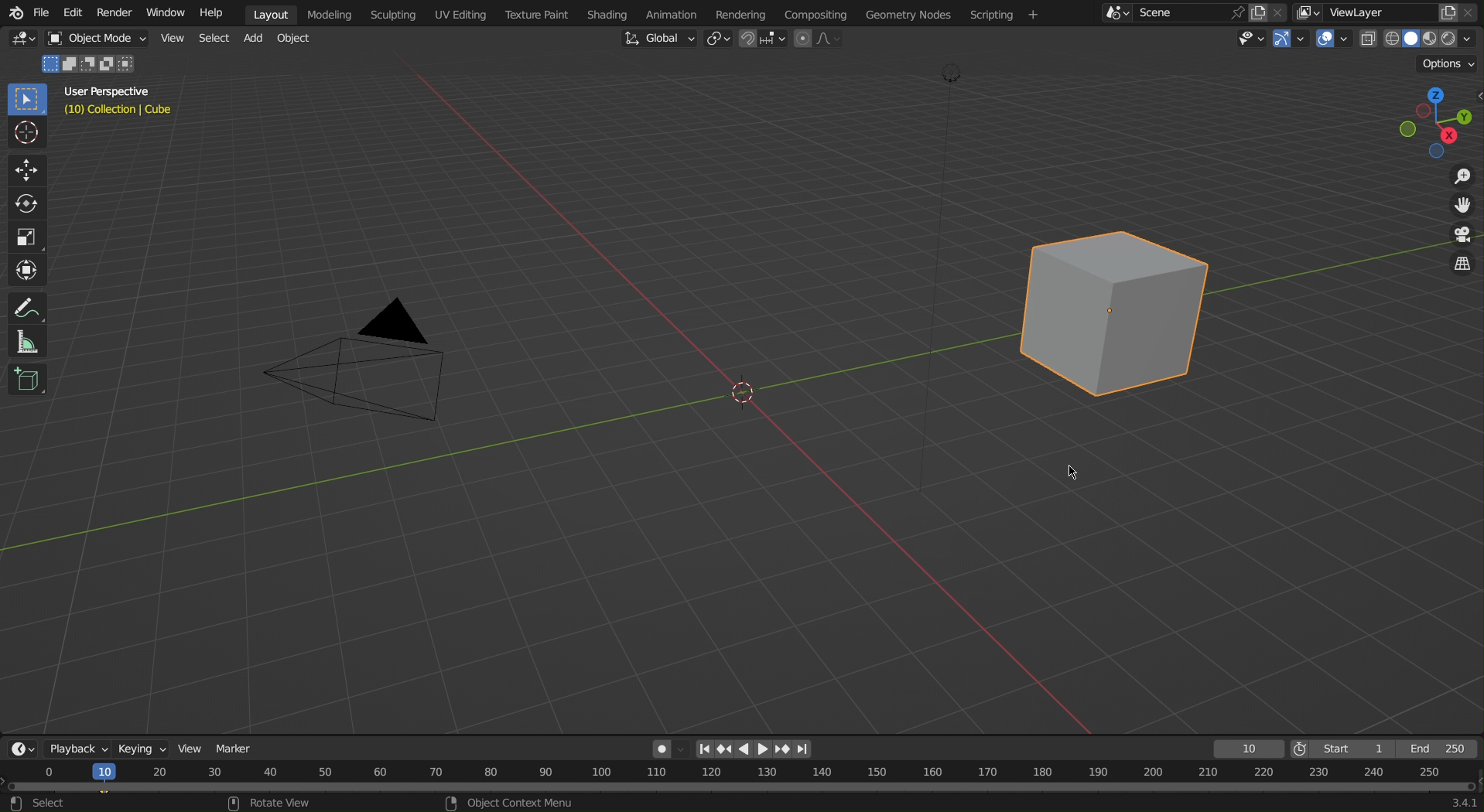 The image size is (1484, 812). Describe the element at coordinates (218, 12) in the screenshot. I see `Help` at that location.